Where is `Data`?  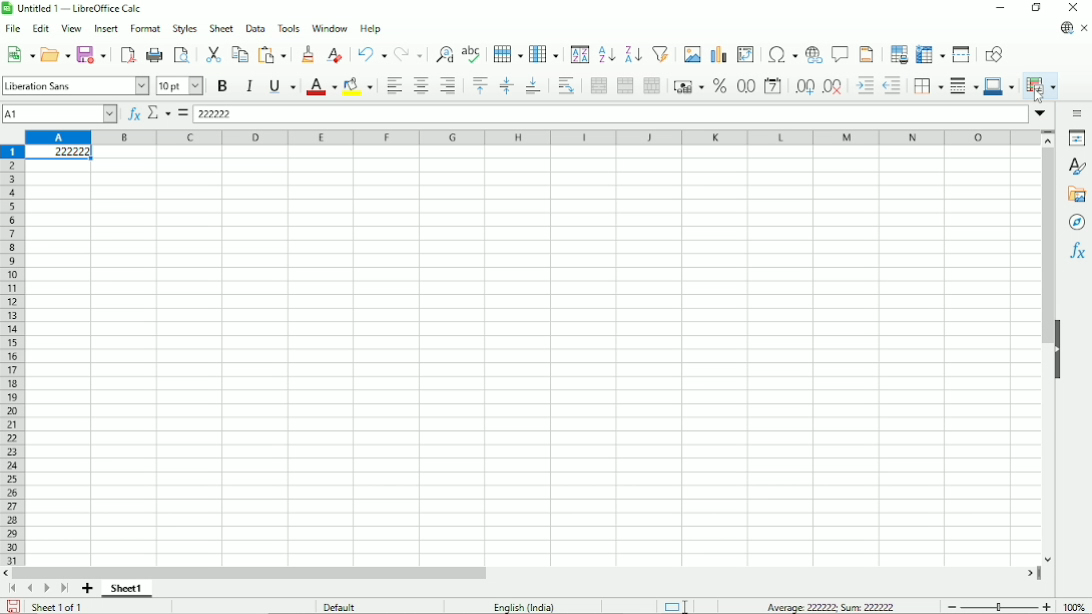
Data is located at coordinates (253, 27).